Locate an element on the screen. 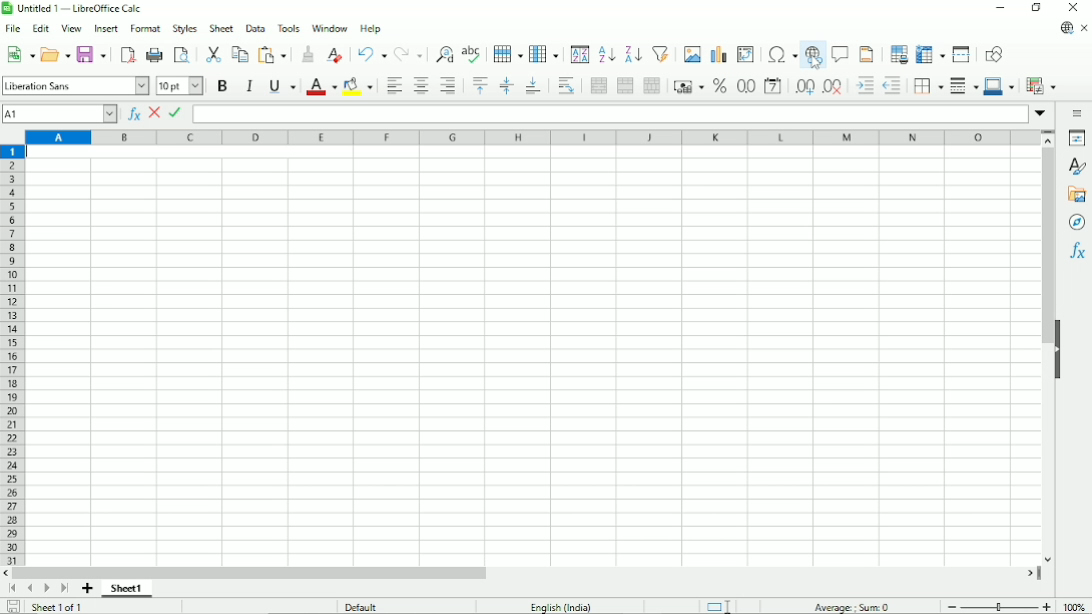  Copy is located at coordinates (240, 53).